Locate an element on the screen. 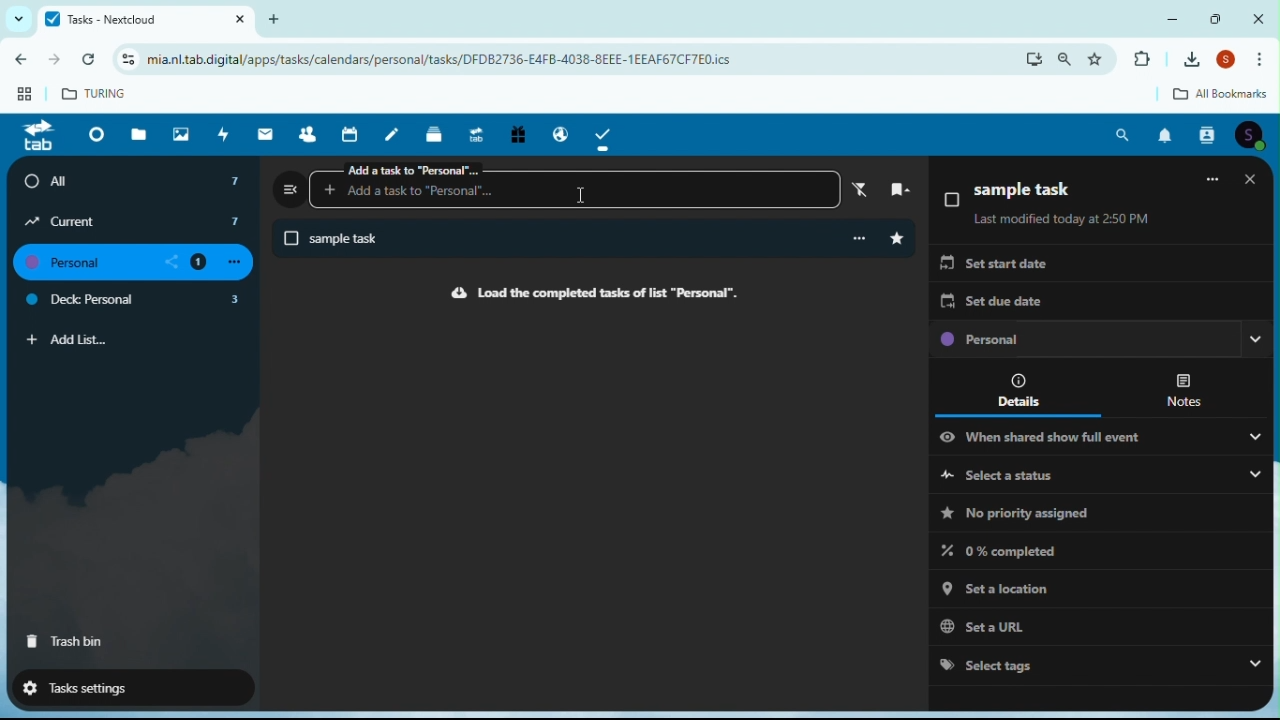 This screenshot has width=1280, height=720. Dashboard is located at coordinates (93, 134).